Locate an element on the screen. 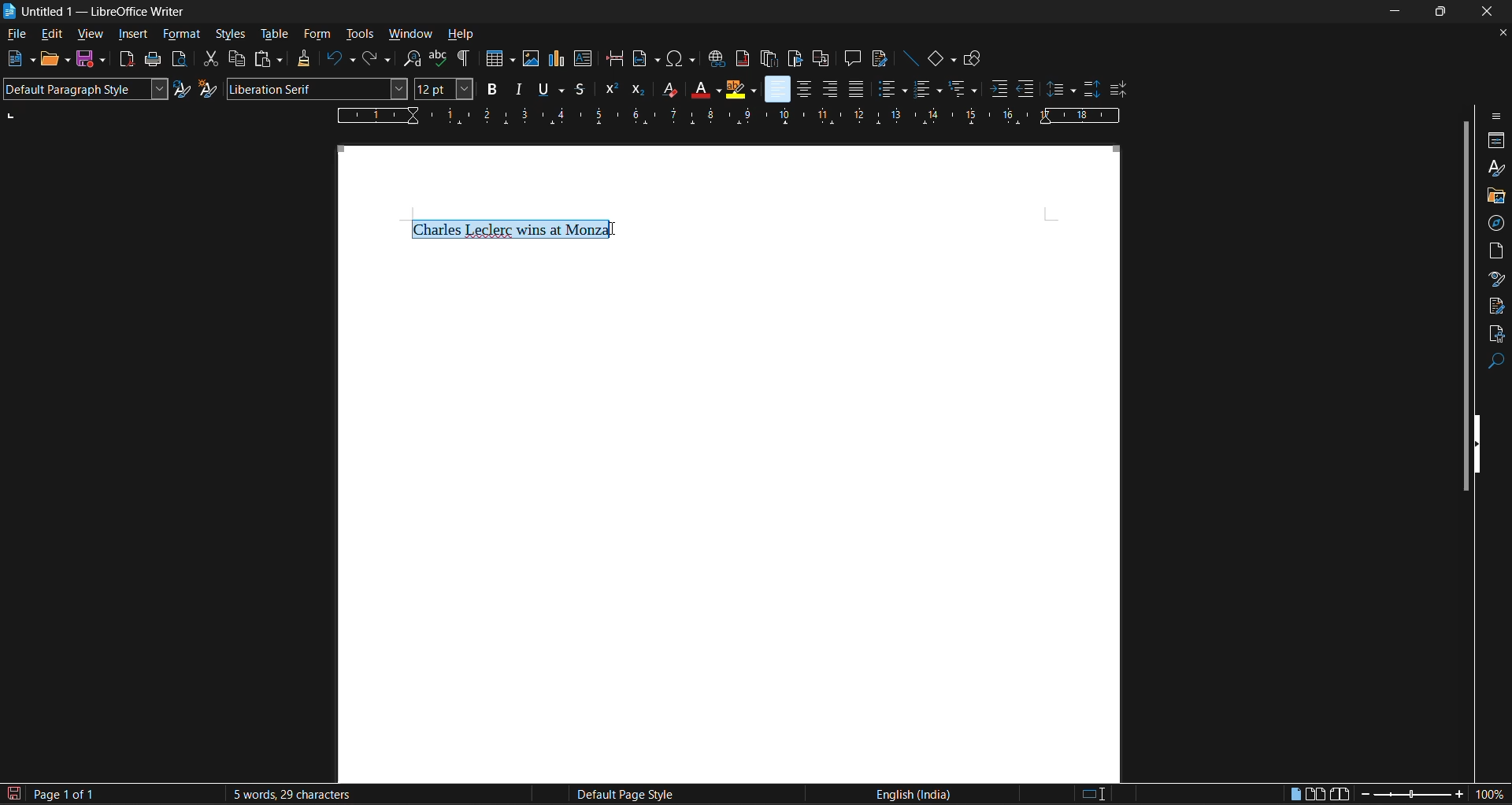 The image size is (1512, 805). format is located at coordinates (182, 35).